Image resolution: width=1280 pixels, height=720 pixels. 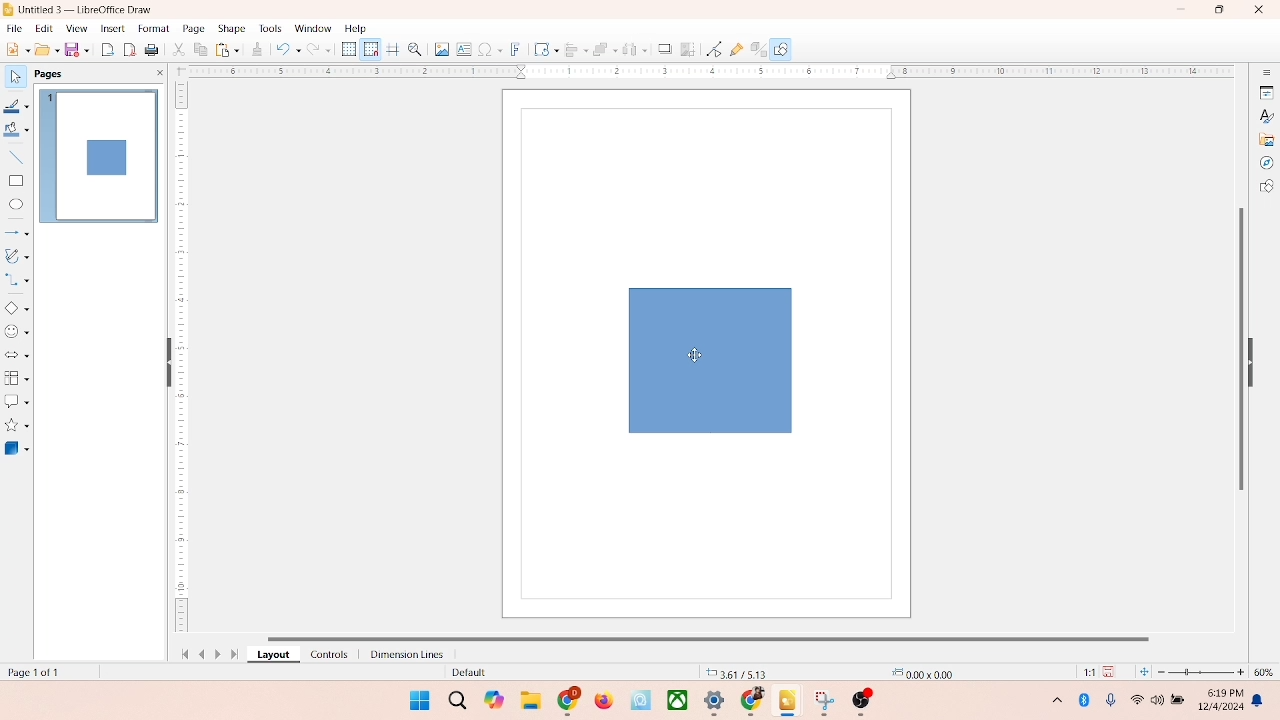 What do you see at coordinates (1112, 701) in the screenshot?
I see `microphone` at bounding box center [1112, 701].